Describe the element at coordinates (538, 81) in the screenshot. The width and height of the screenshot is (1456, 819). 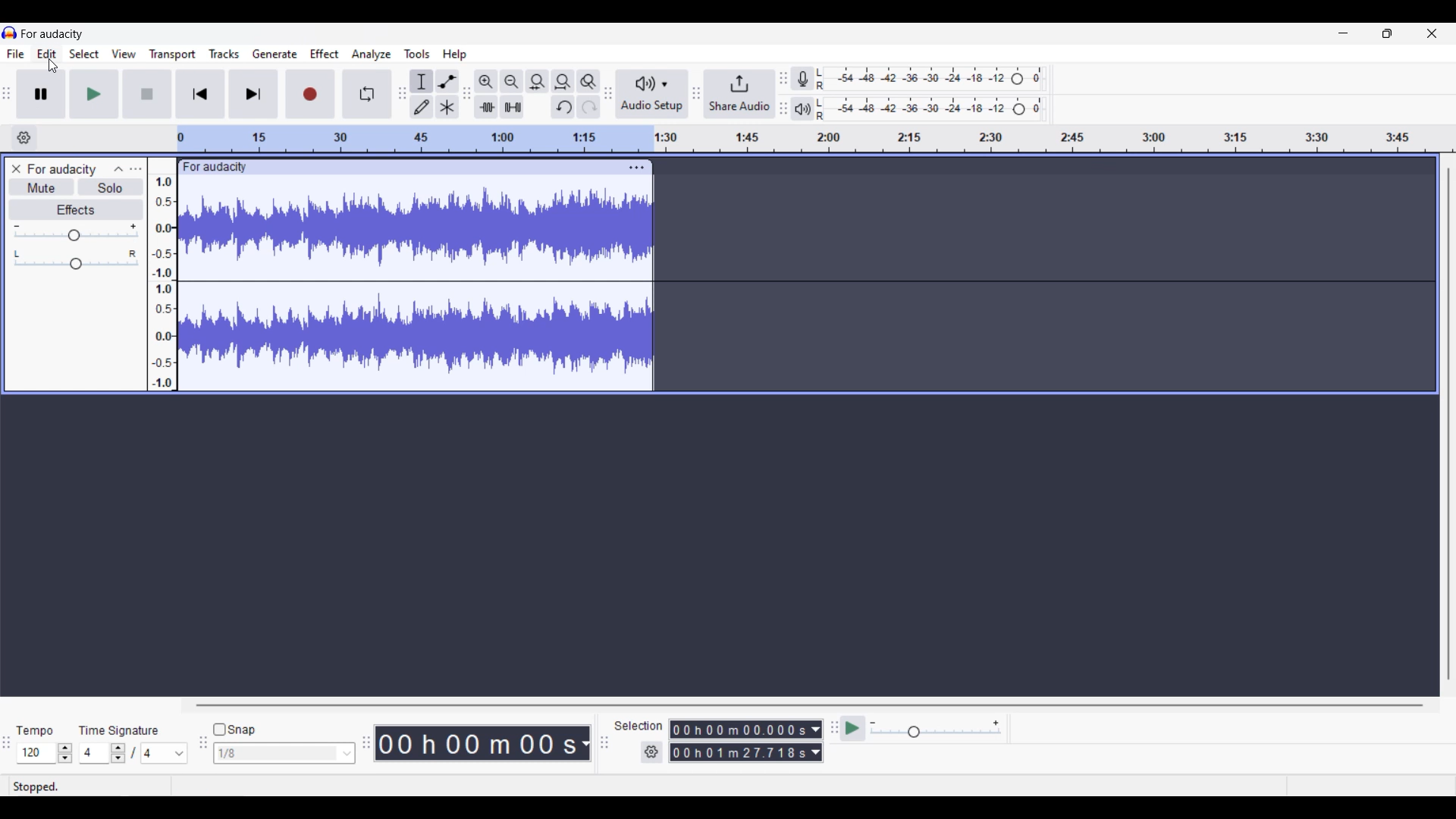
I see `Fit selection to width` at that location.